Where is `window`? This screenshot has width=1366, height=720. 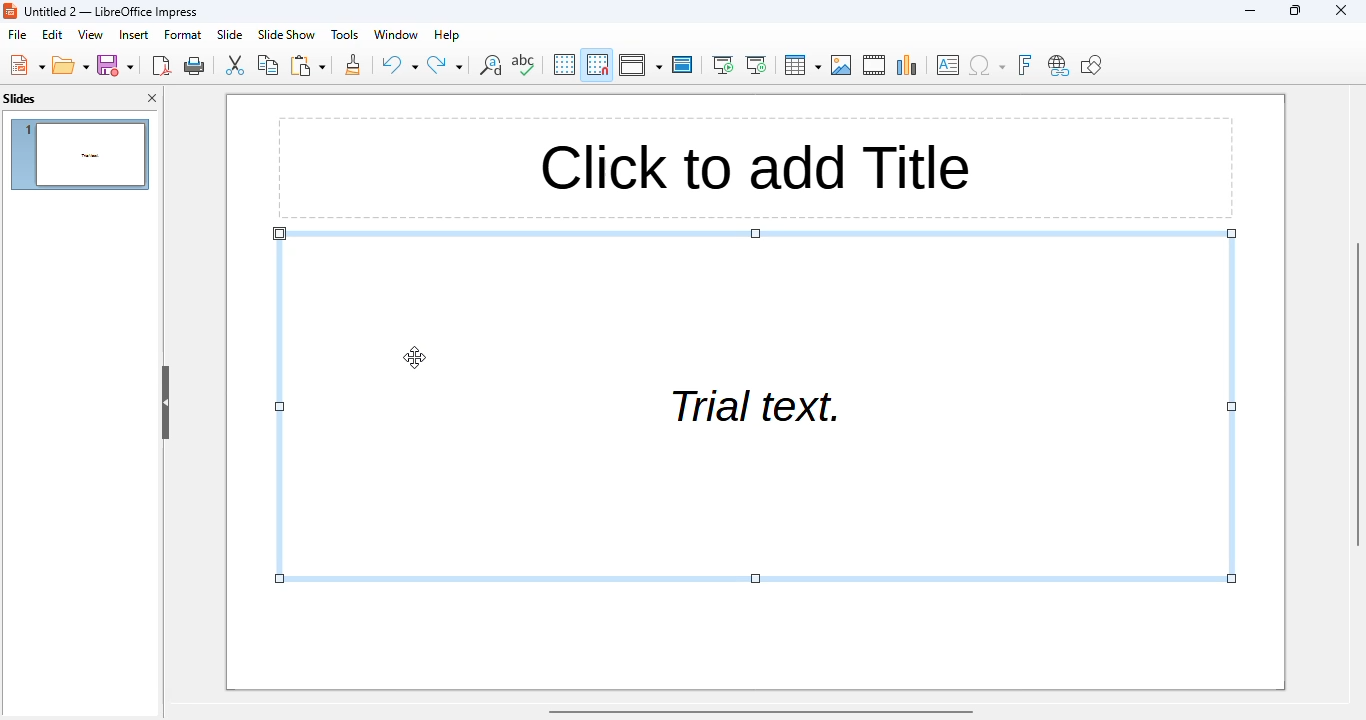
window is located at coordinates (395, 34).